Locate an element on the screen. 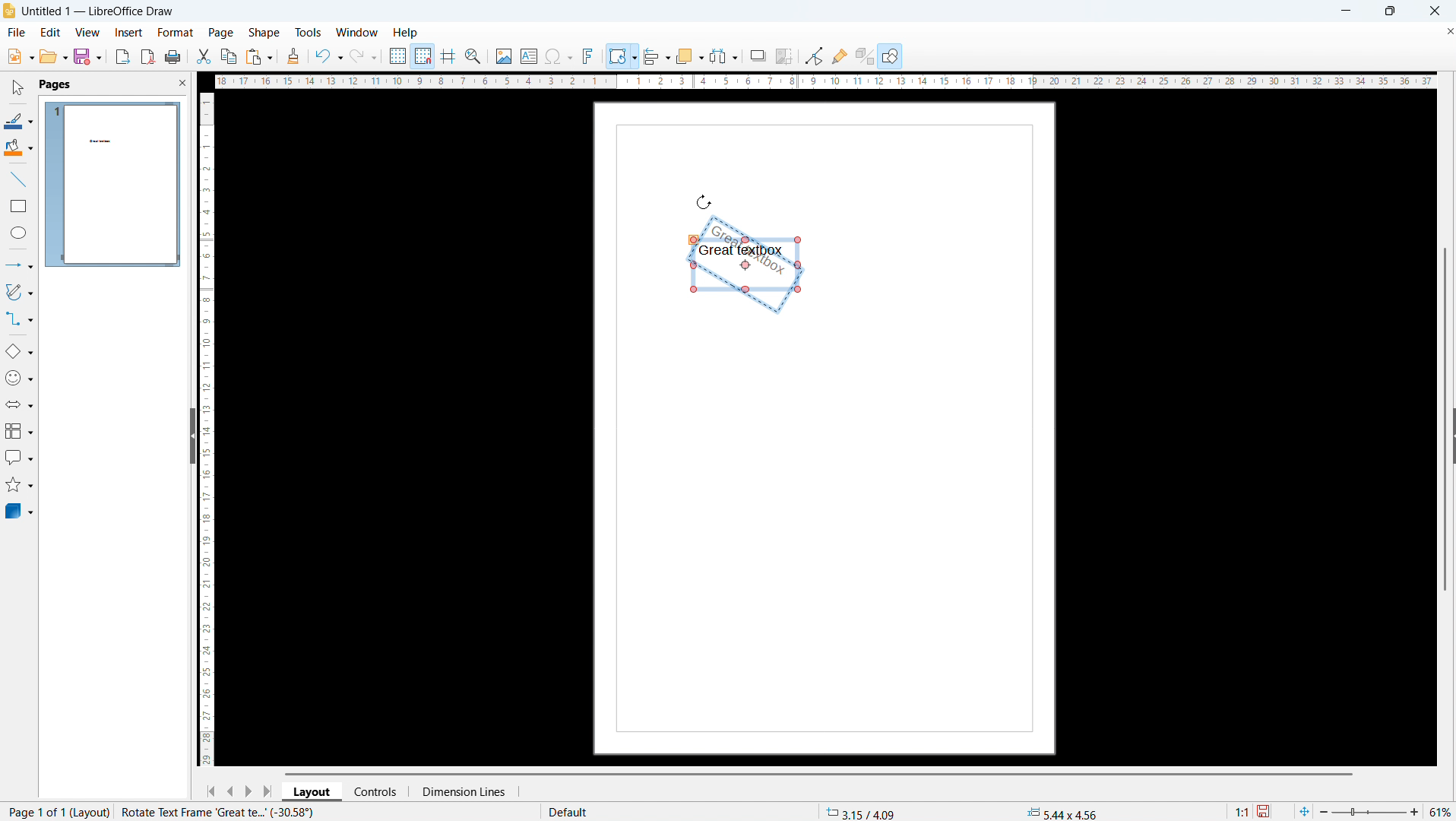 The width and height of the screenshot is (1456, 821). stars and banners is located at coordinates (19, 485).